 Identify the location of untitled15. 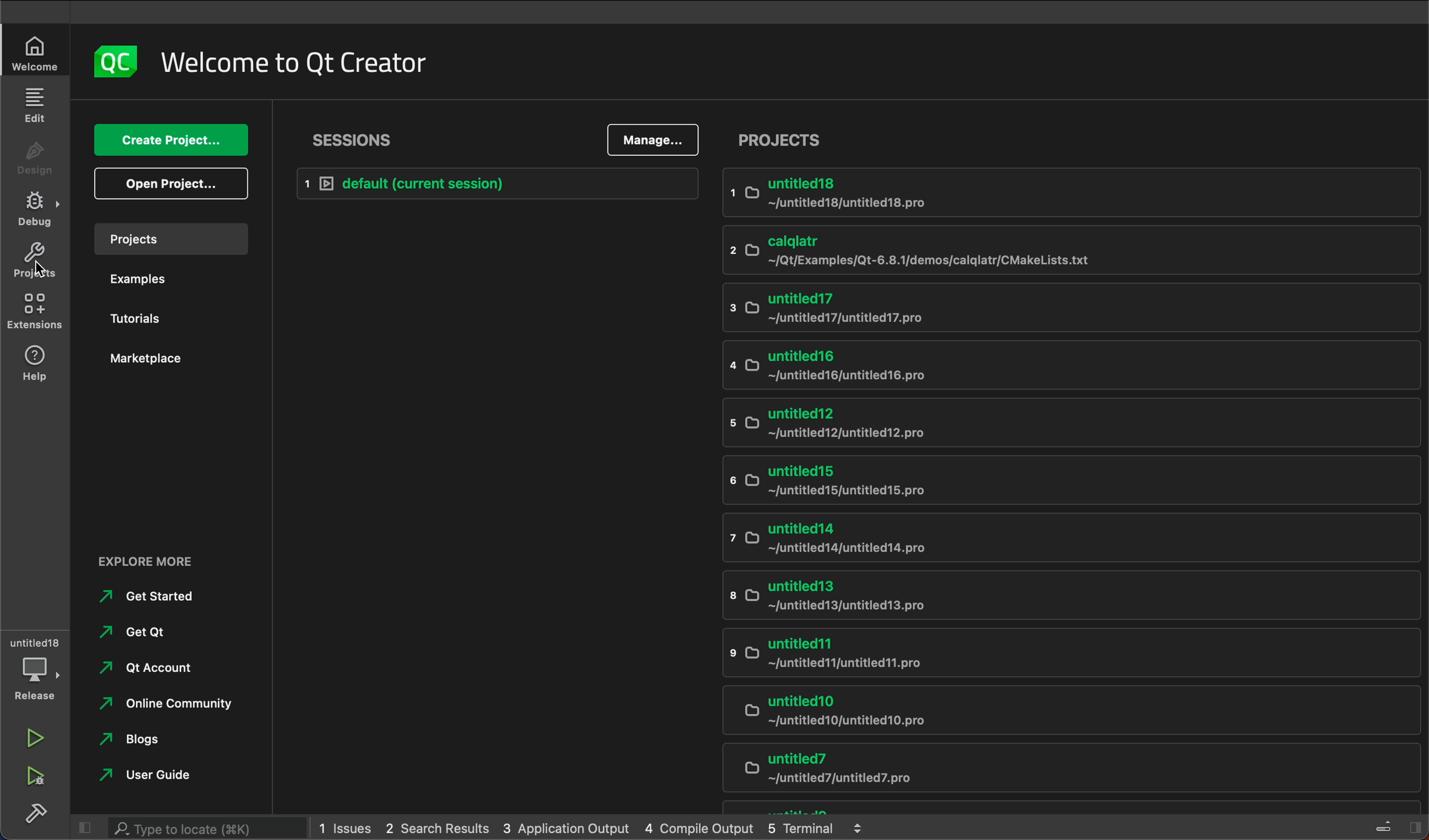
(1053, 481).